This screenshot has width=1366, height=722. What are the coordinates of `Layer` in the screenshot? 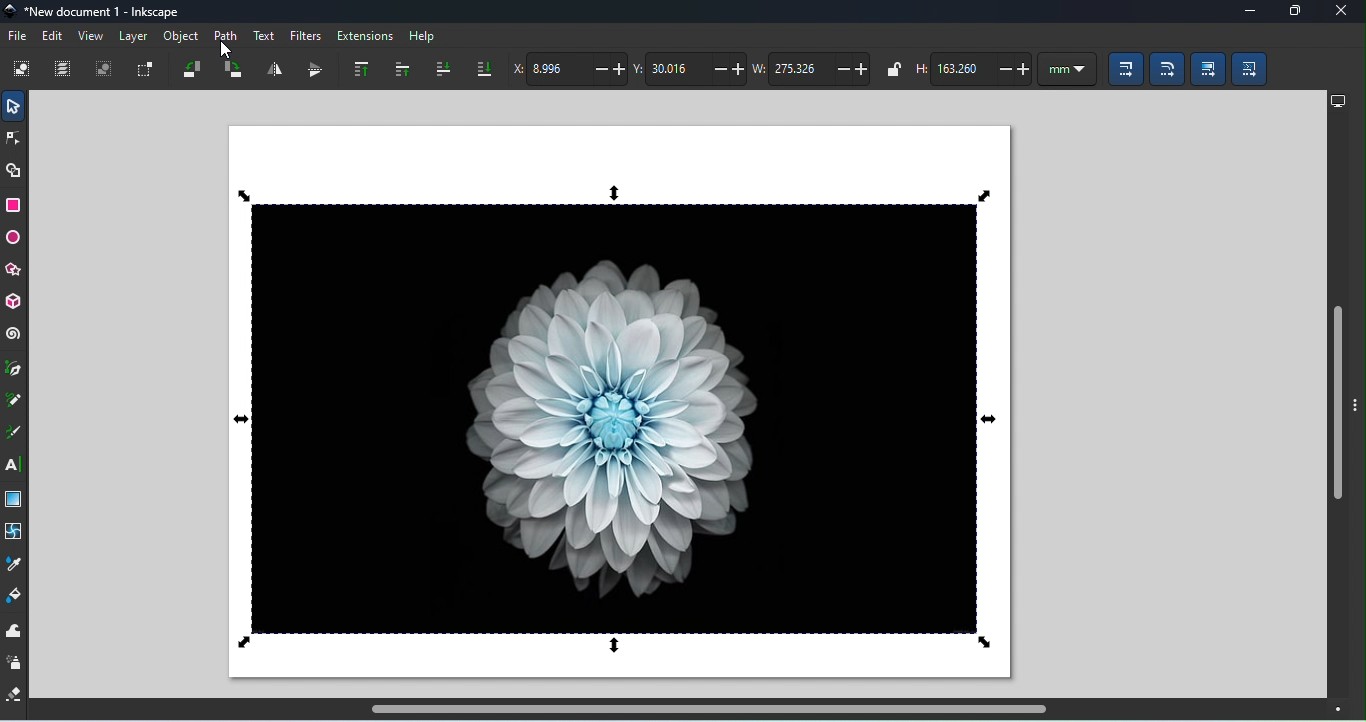 It's located at (137, 39).